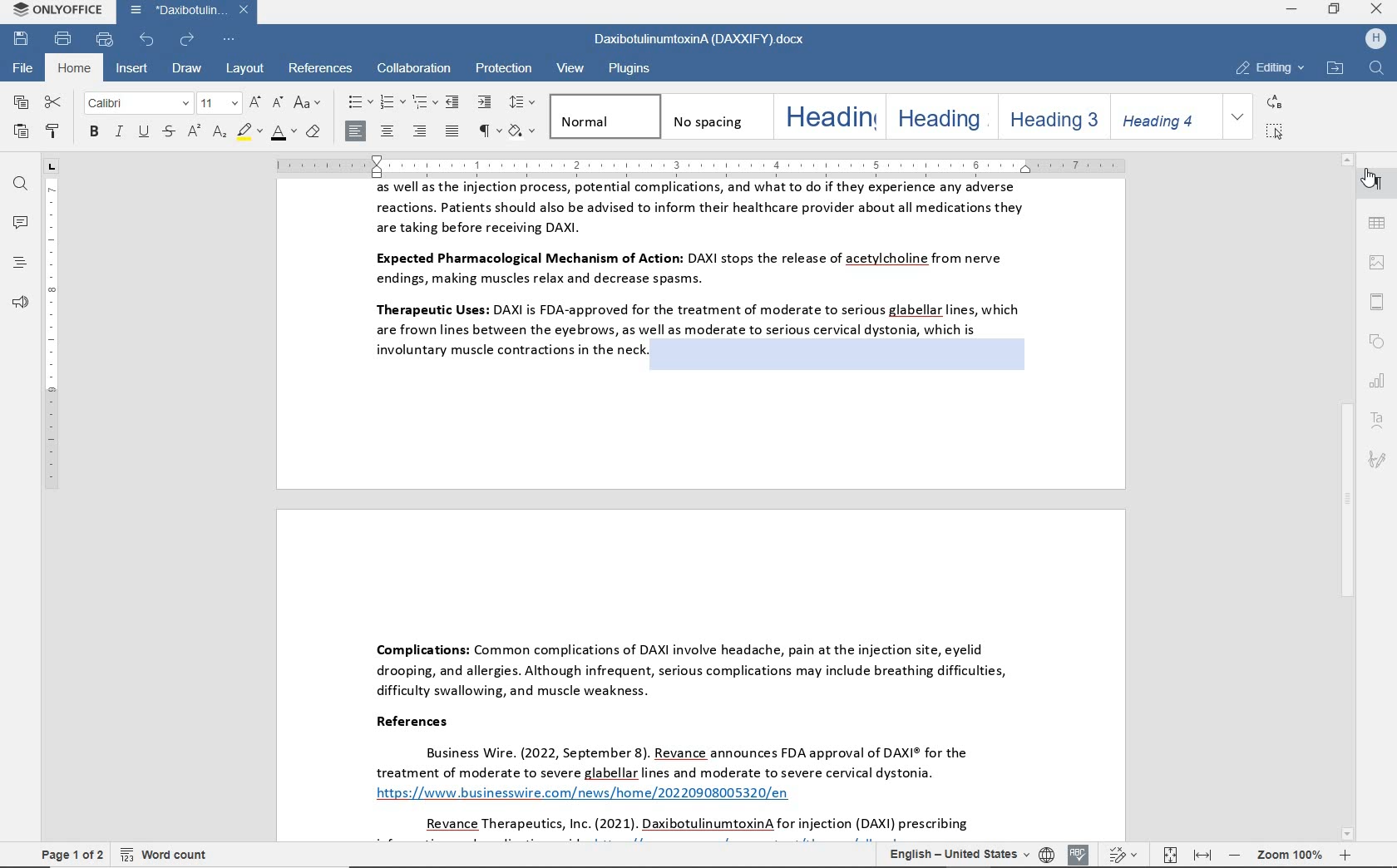 This screenshot has width=1397, height=868. I want to click on heading 2, so click(938, 116).